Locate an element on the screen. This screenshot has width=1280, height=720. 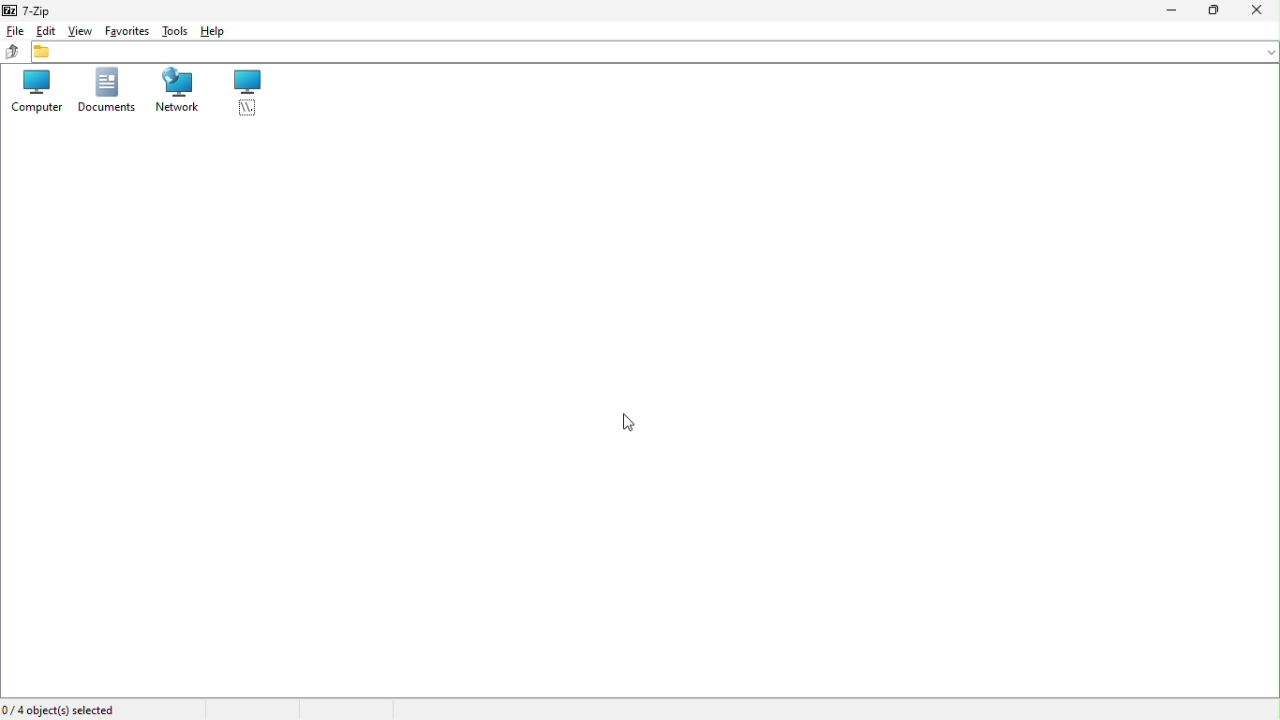
File  is located at coordinates (14, 32).